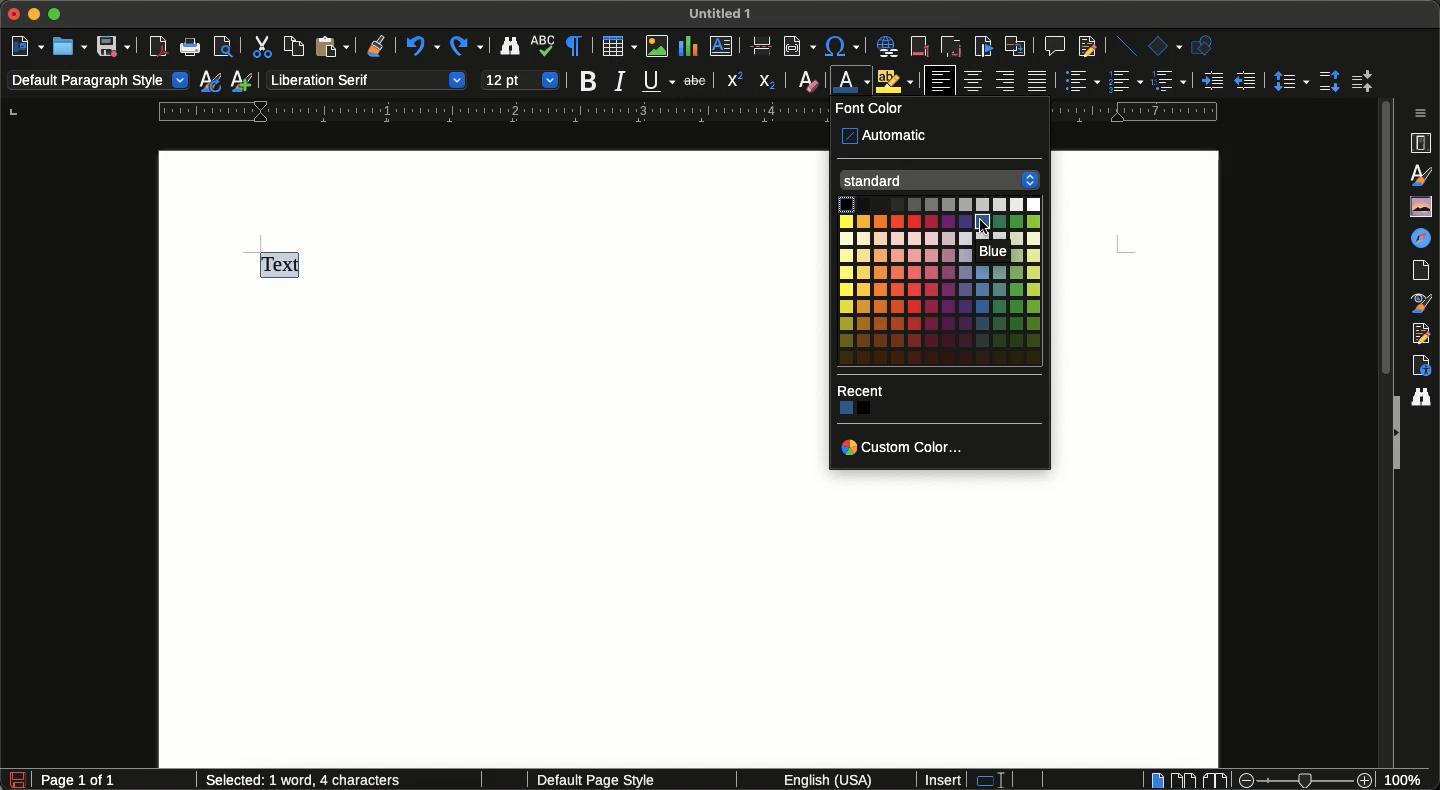 The image size is (1440, 790). I want to click on New style from selection, so click(244, 81).